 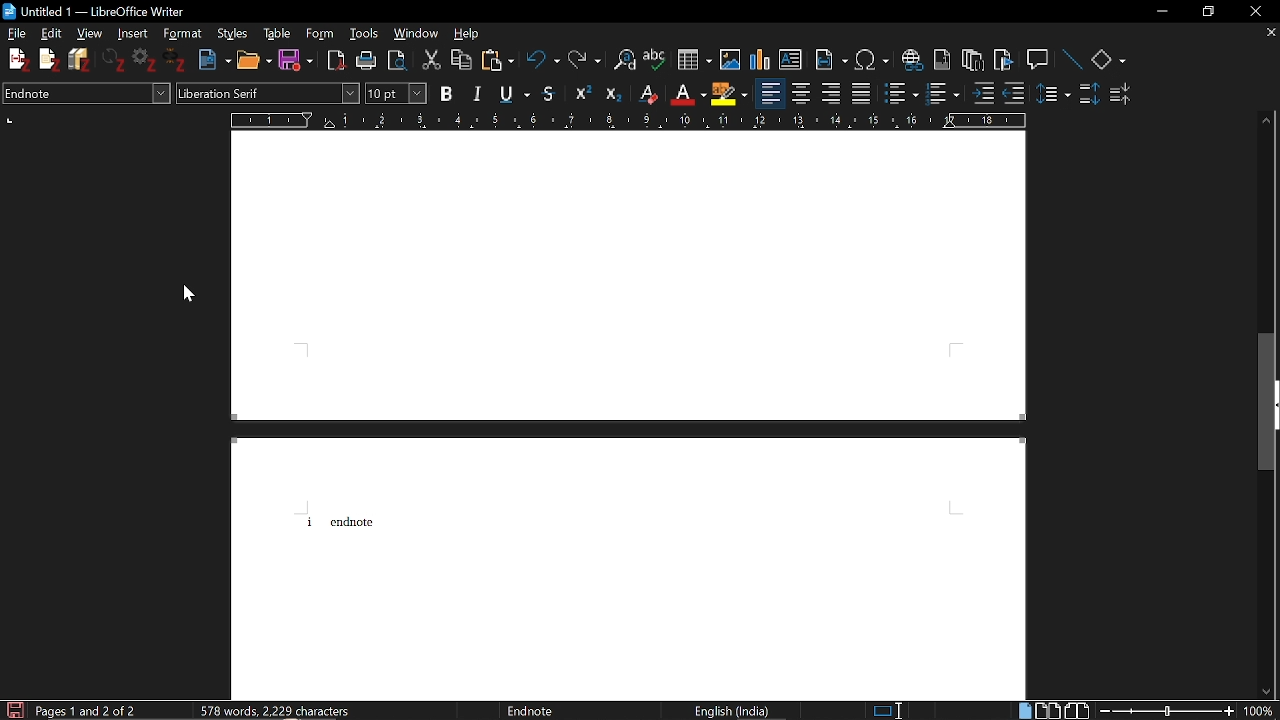 I want to click on Insert comment, so click(x=1039, y=60).